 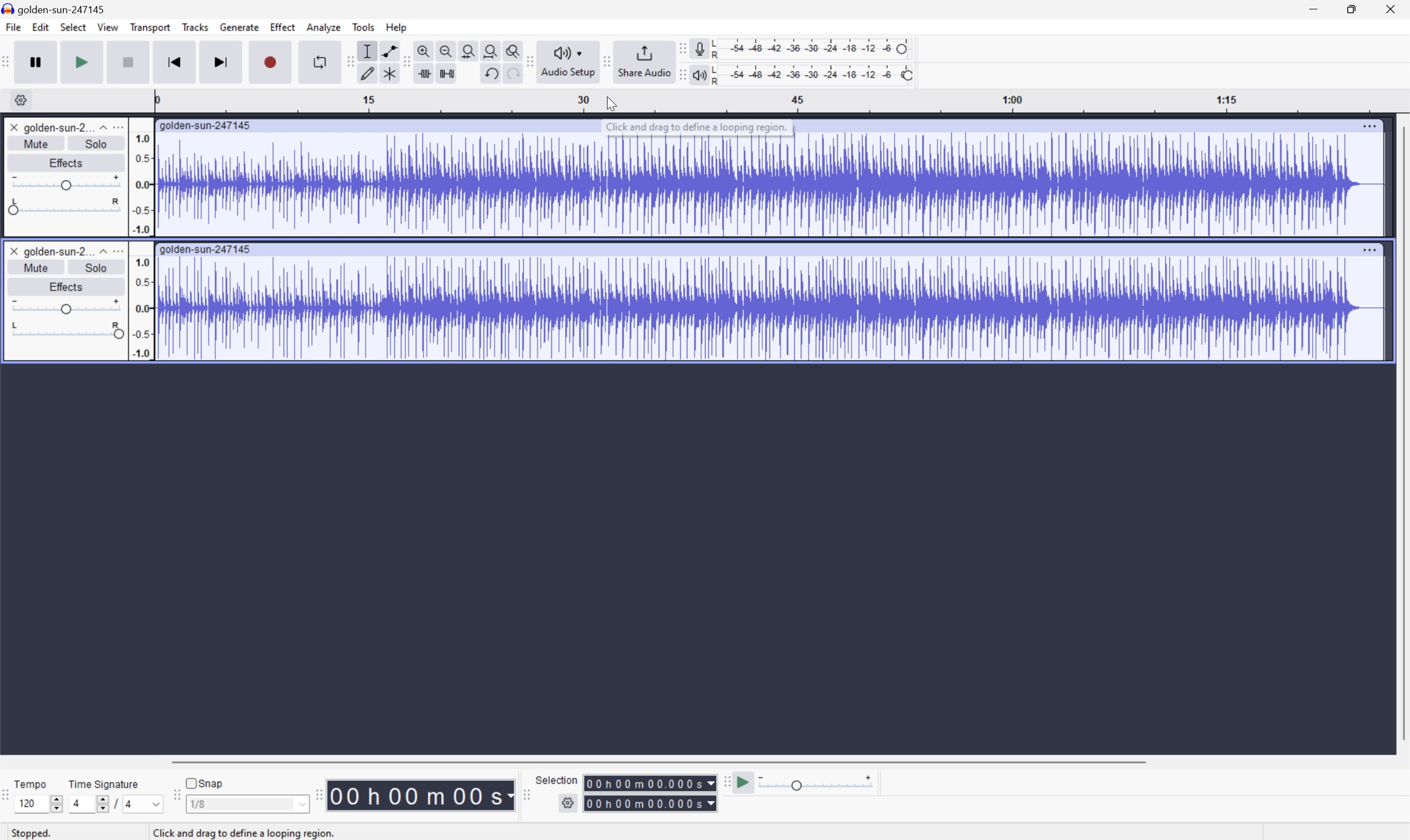 I want to click on golden-sun-247145, so click(x=57, y=8).